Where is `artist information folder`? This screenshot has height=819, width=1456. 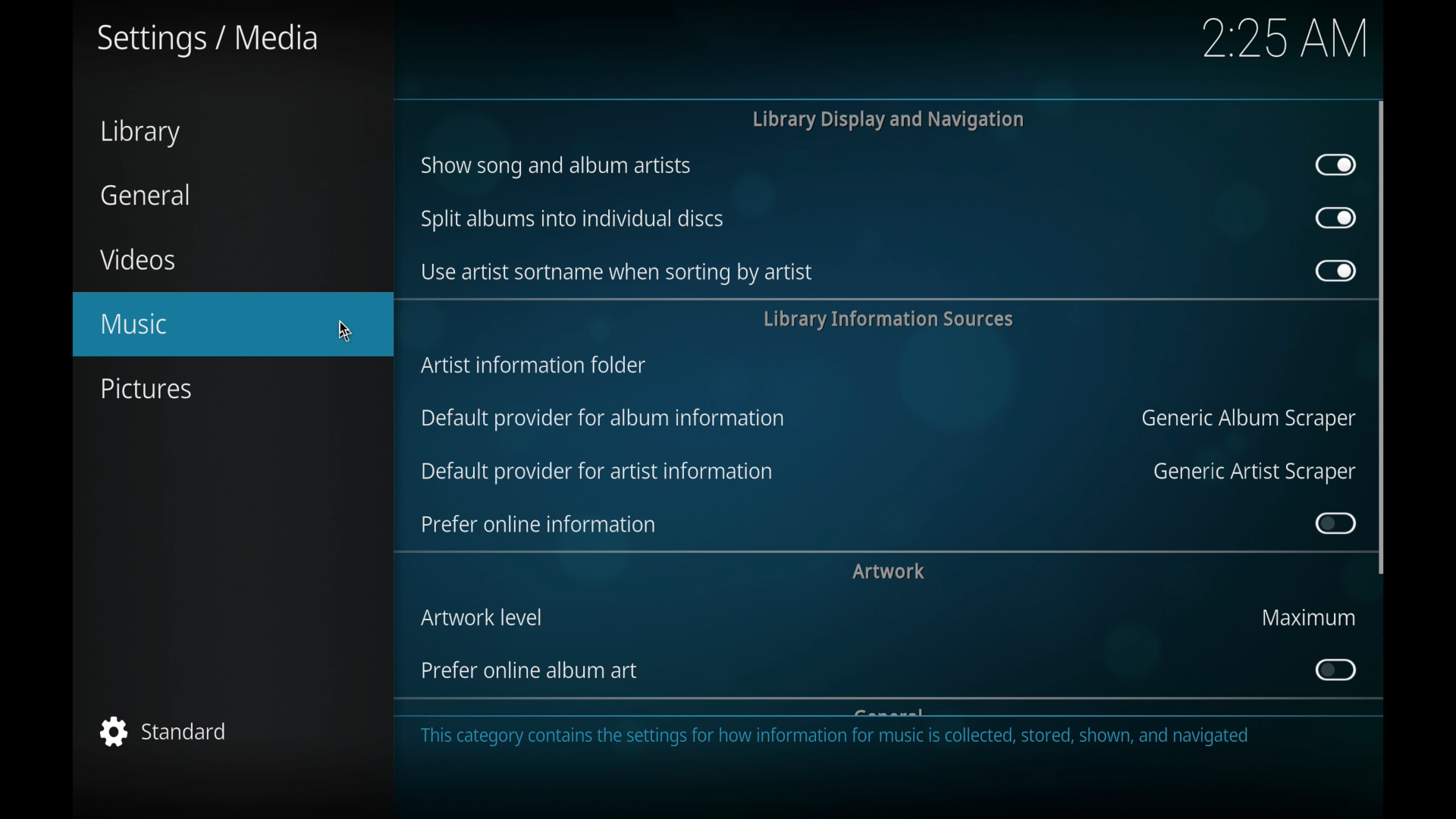 artist information folder is located at coordinates (535, 366).